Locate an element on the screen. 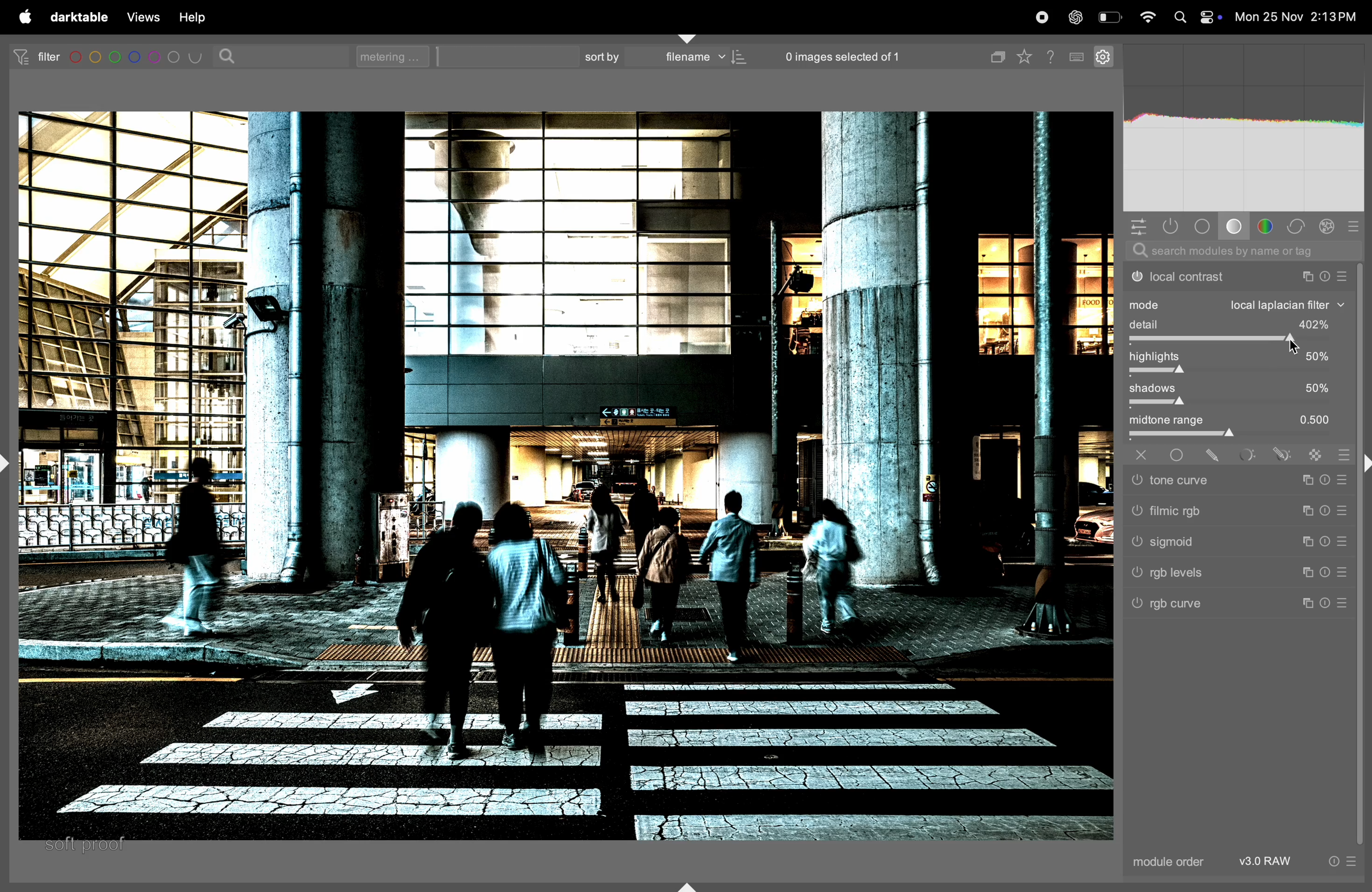 The image size is (1372, 892). shift+ctrl+b is located at coordinates (687, 886).